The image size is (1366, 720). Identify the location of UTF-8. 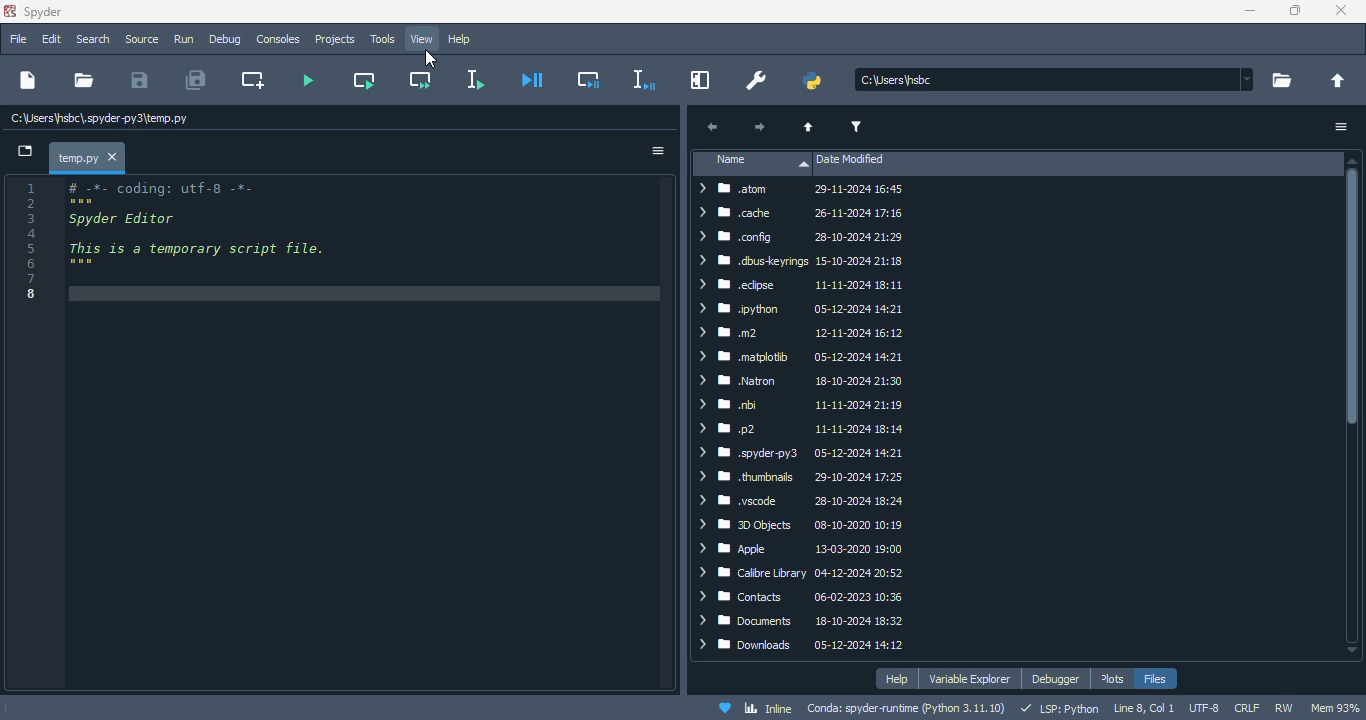
(1203, 709).